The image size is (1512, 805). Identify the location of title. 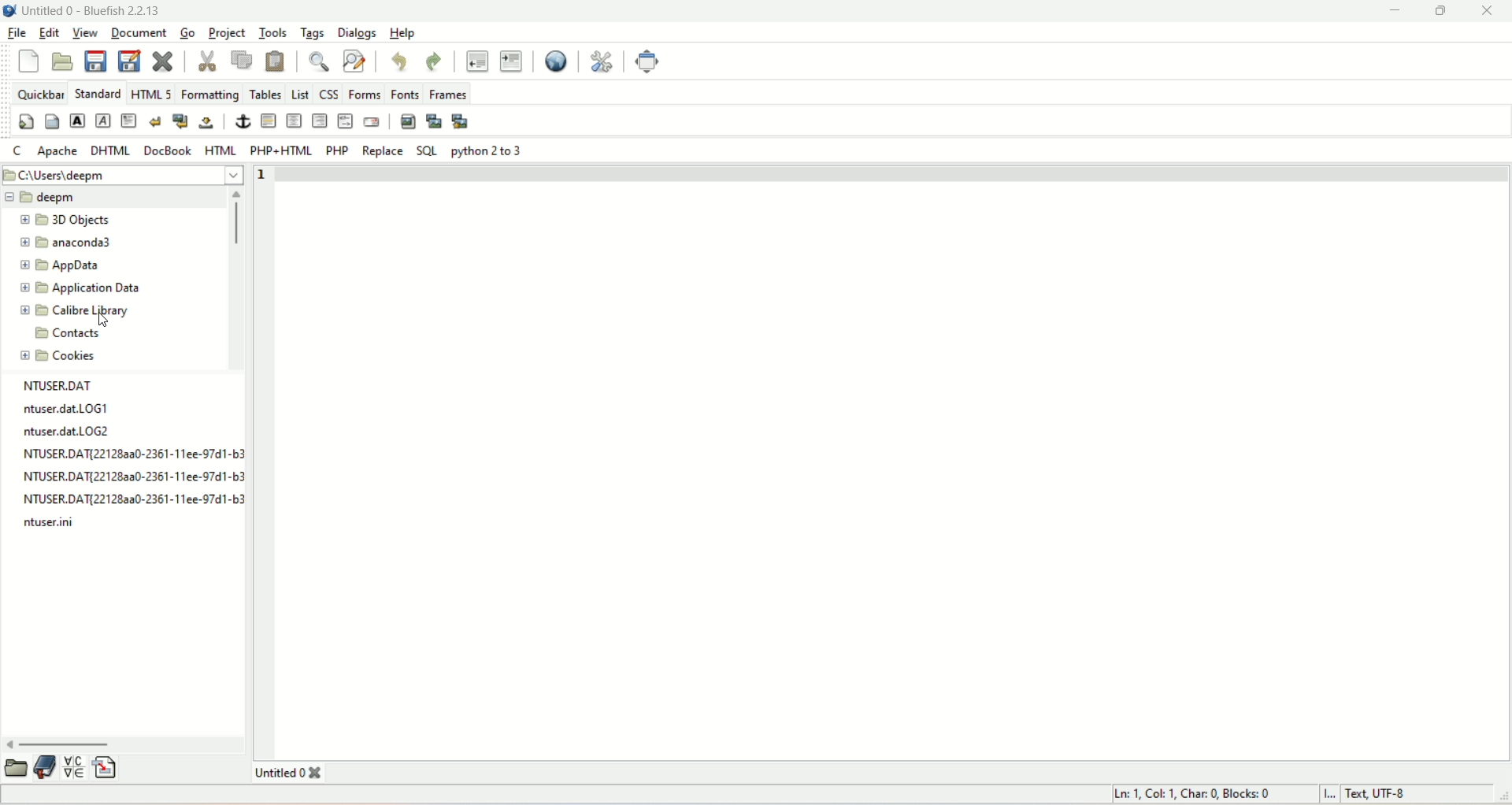
(298, 773).